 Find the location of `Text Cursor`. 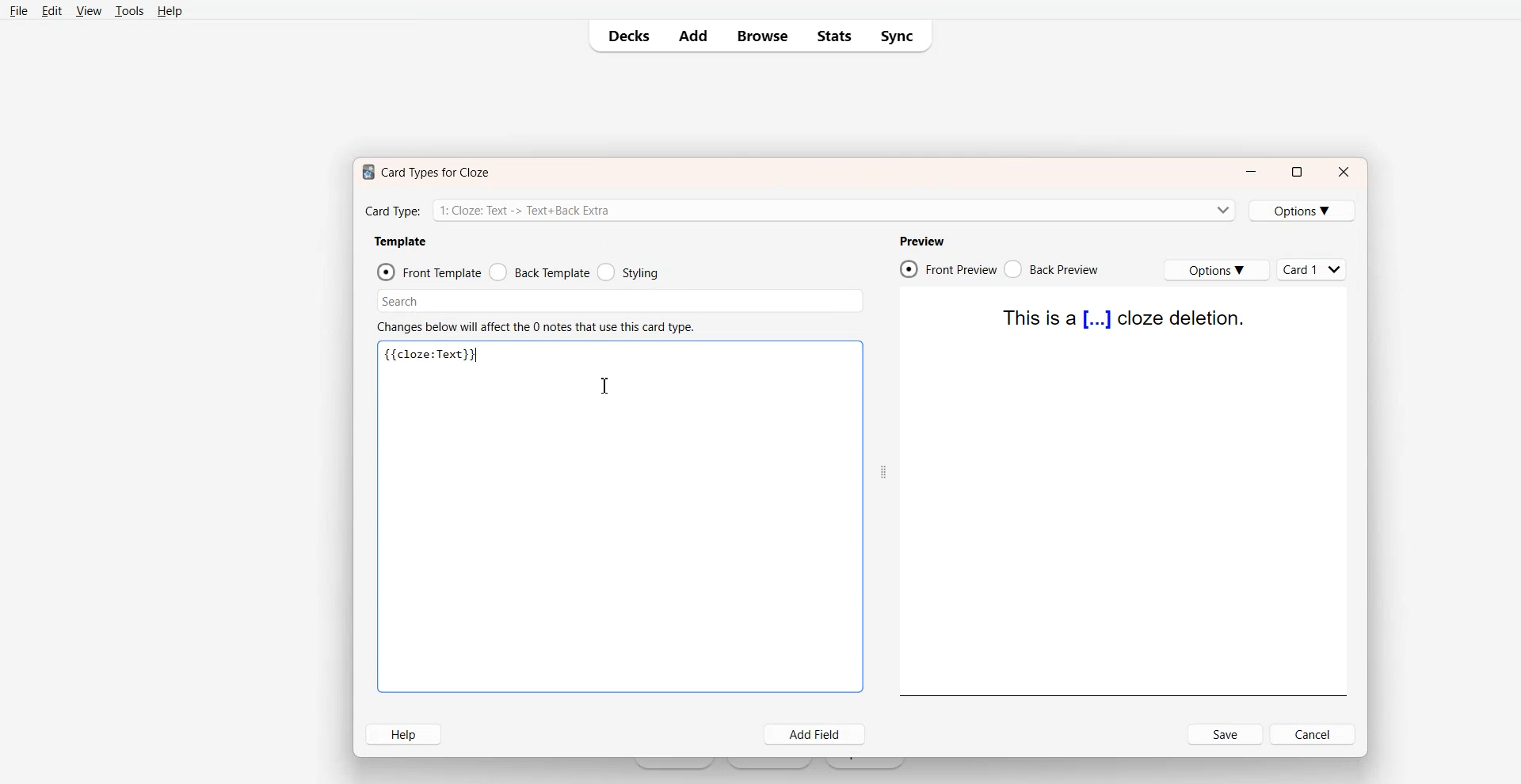

Text Cursor is located at coordinates (607, 386).